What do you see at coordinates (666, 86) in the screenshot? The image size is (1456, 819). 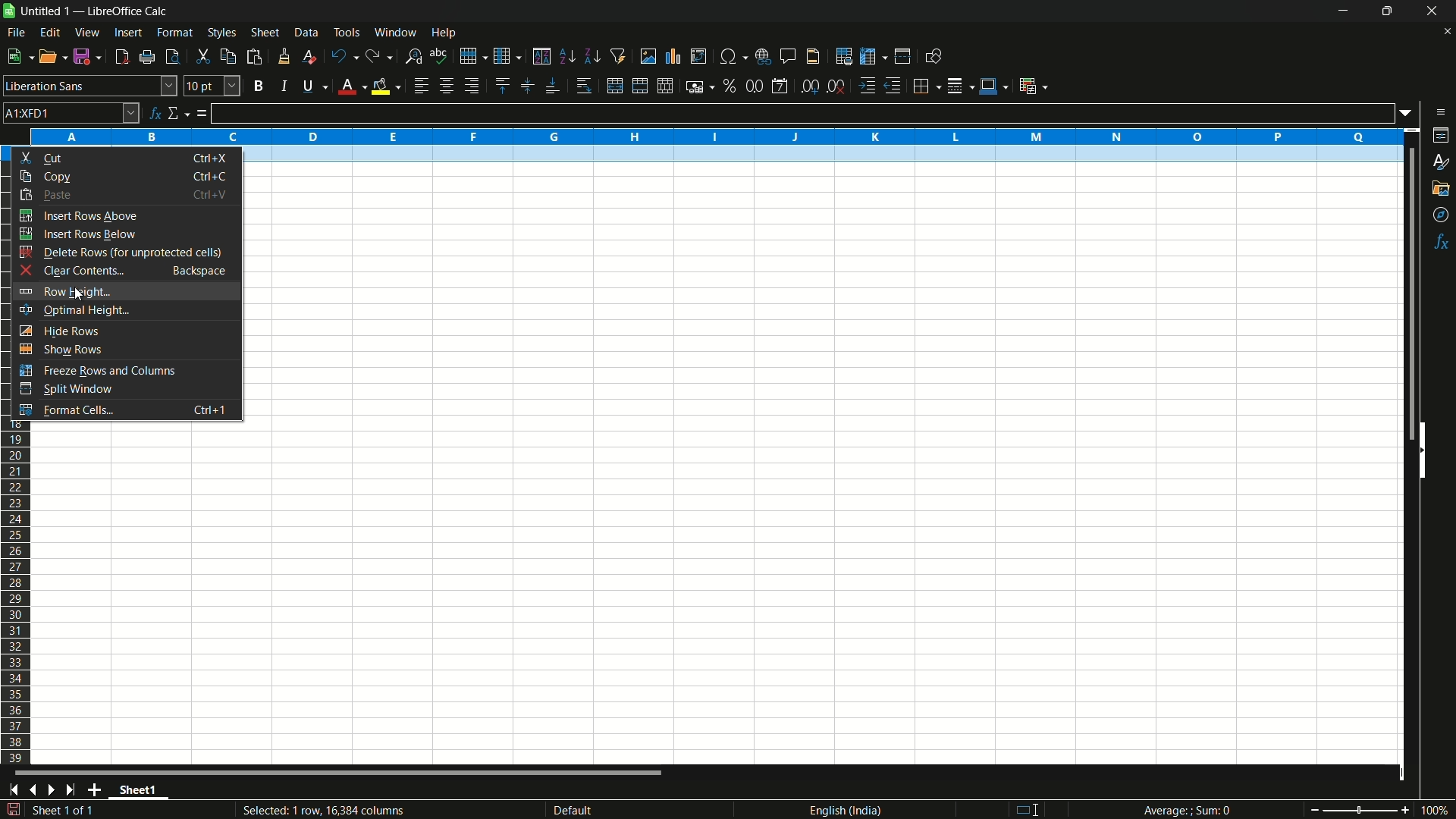 I see `unmerge cells` at bounding box center [666, 86].